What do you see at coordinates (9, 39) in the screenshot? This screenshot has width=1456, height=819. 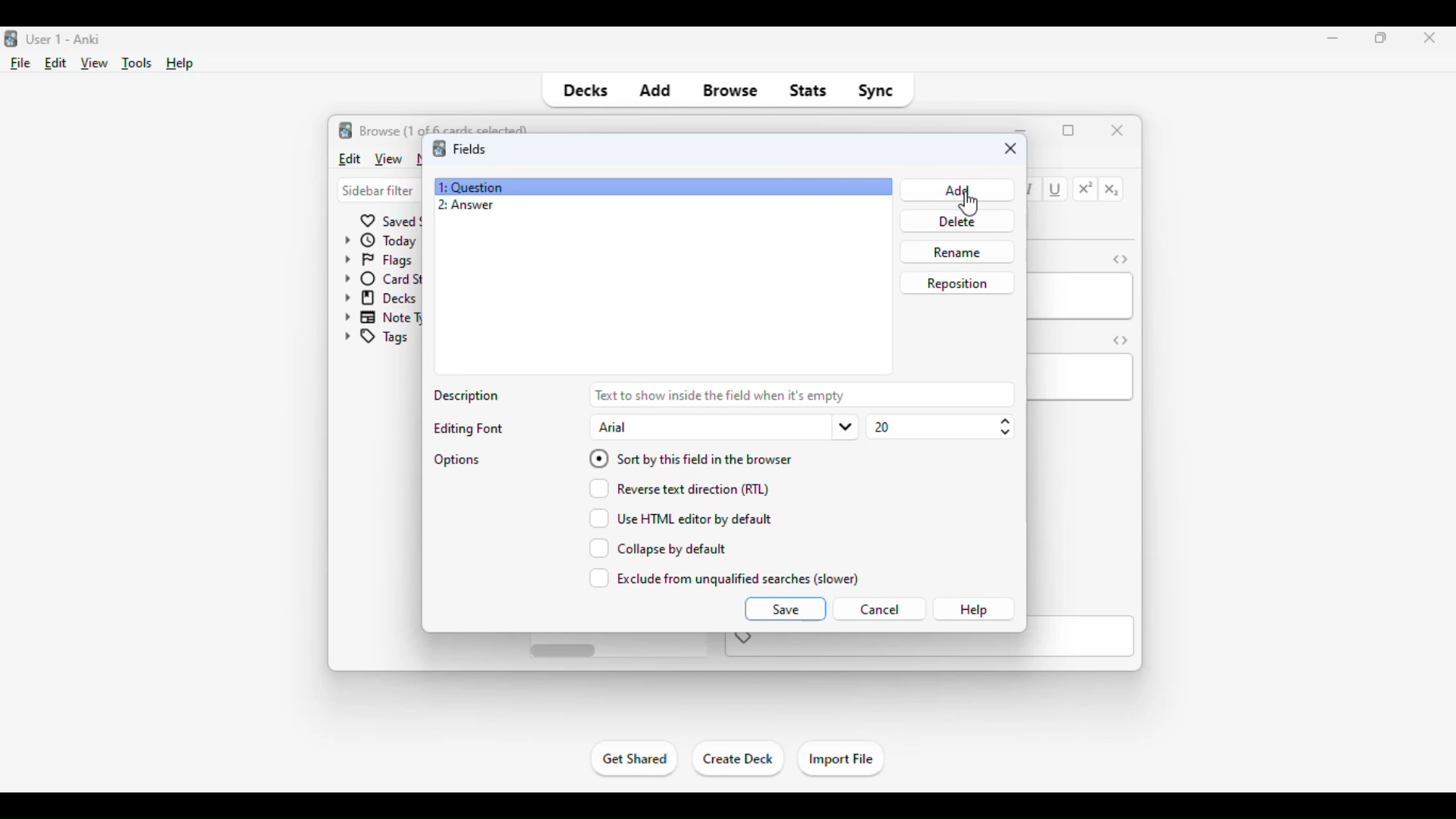 I see `logo` at bounding box center [9, 39].